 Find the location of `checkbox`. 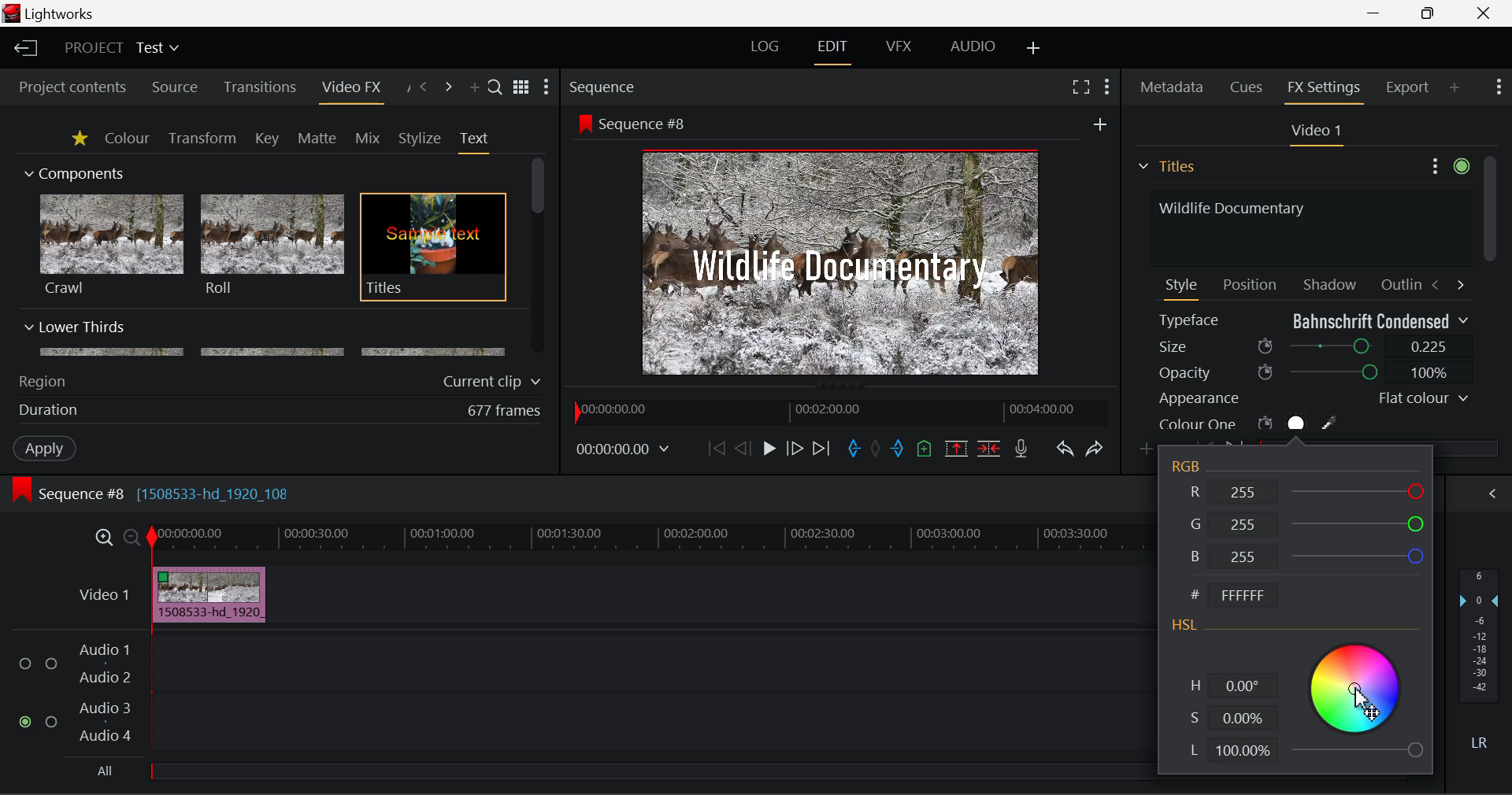

checkbox is located at coordinates (52, 665).